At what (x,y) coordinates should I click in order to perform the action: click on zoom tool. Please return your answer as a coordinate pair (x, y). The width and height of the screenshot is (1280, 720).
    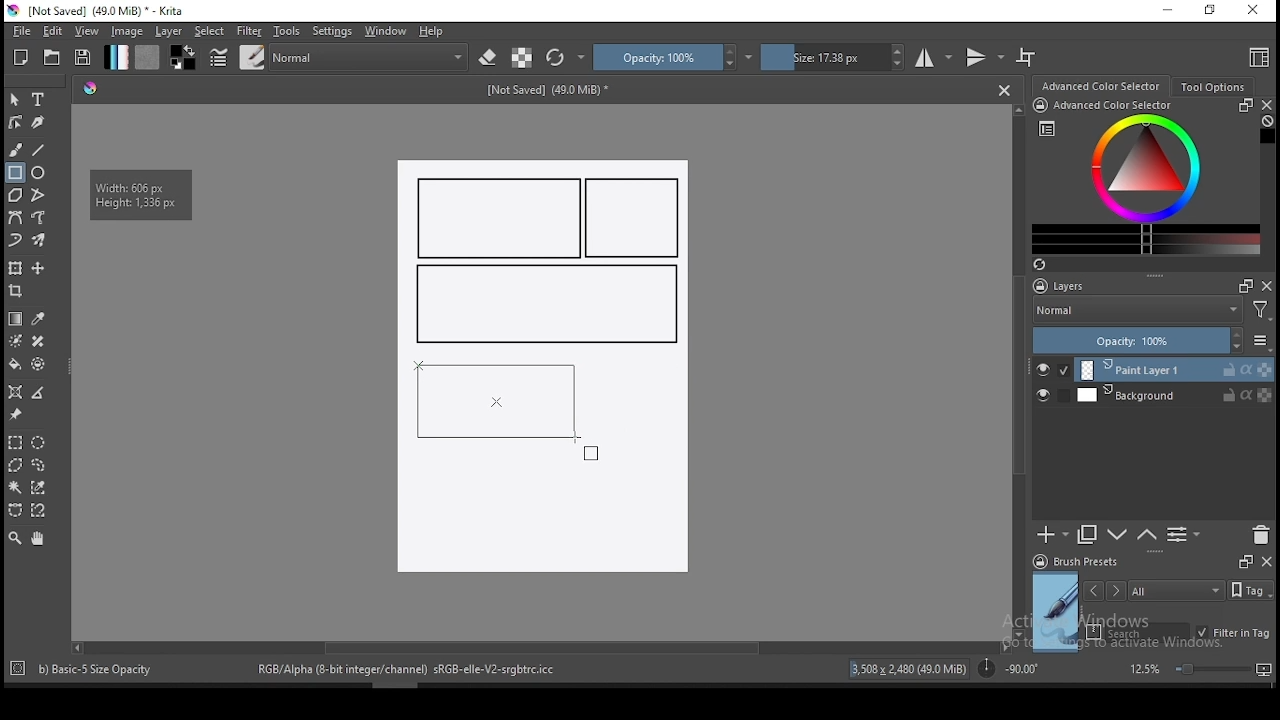
    Looking at the image, I should click on (15, 537).